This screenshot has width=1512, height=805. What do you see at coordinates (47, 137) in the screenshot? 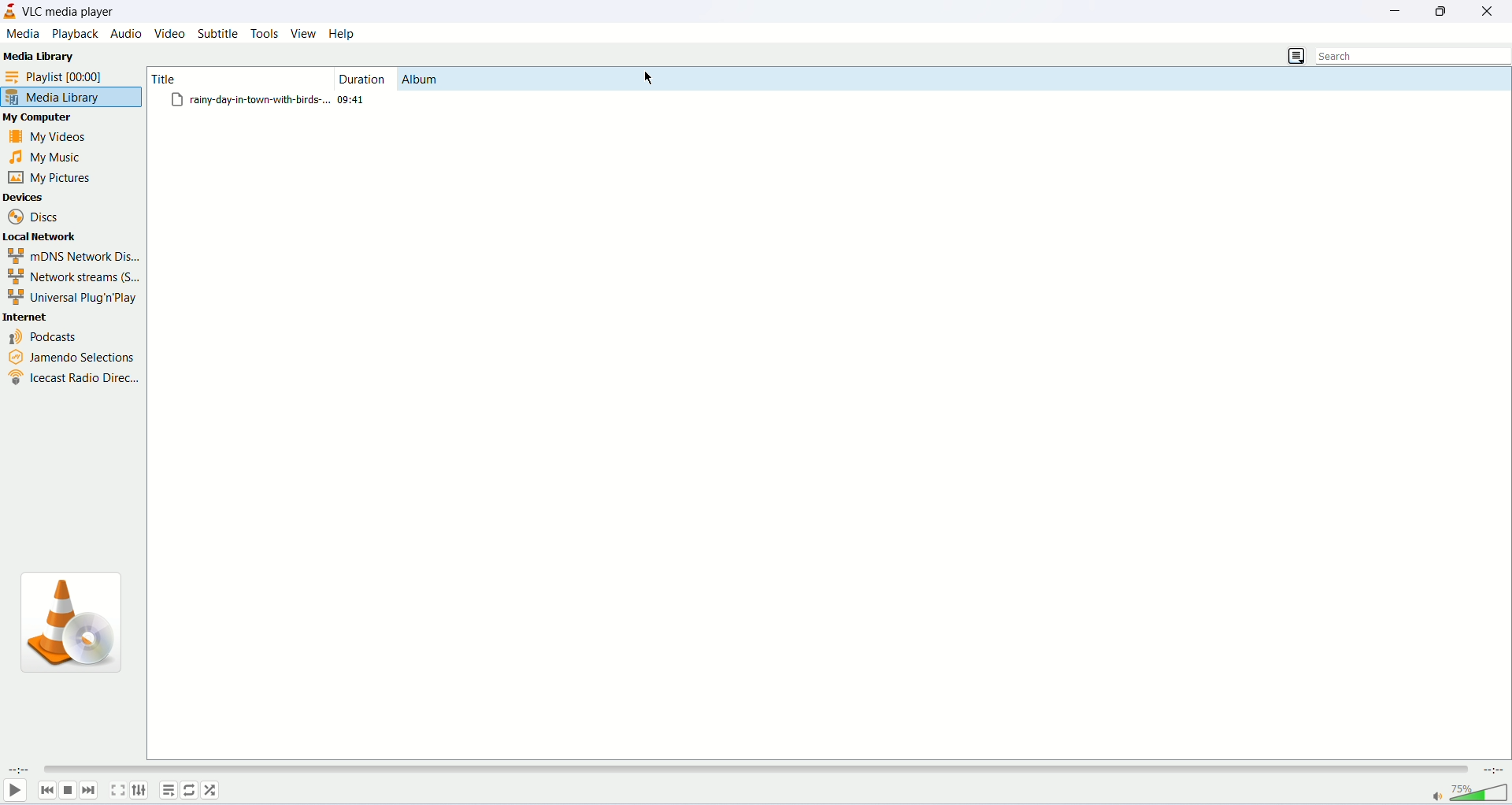
I see `my videos` at bounding box center [47, 137].